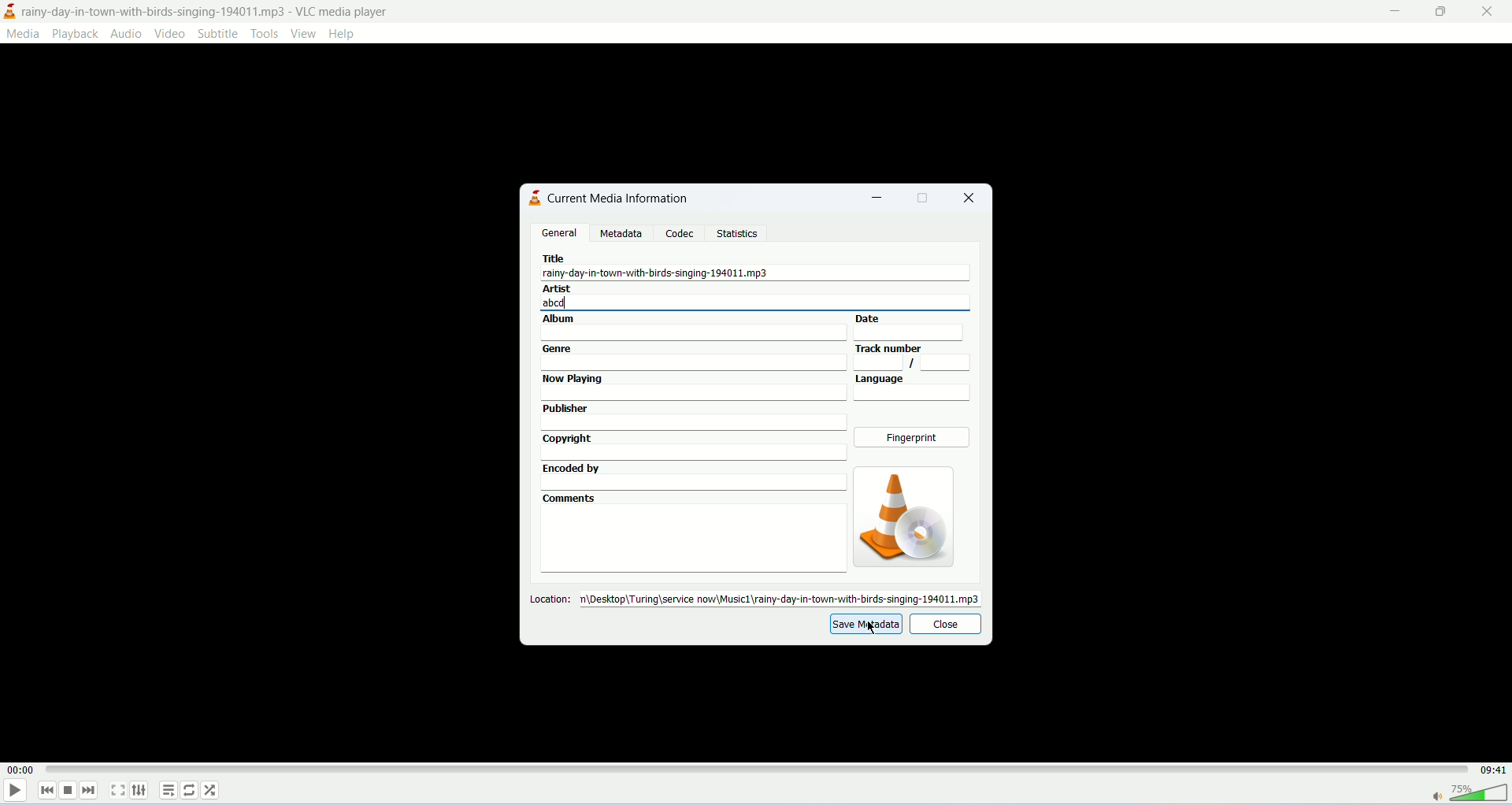  I want to click on track number, so click(913, 357).